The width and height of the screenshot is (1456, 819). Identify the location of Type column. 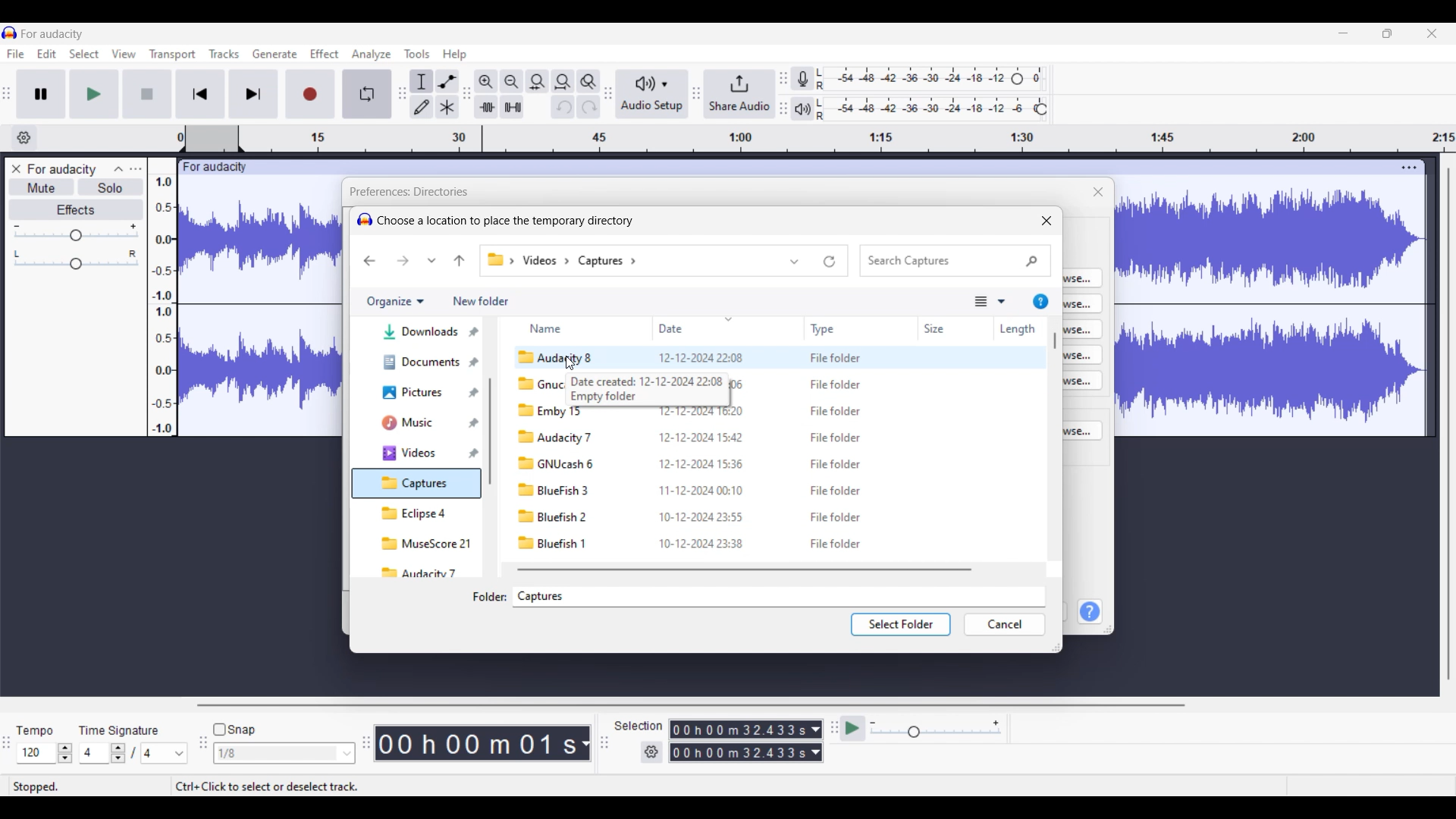
(830, 329).